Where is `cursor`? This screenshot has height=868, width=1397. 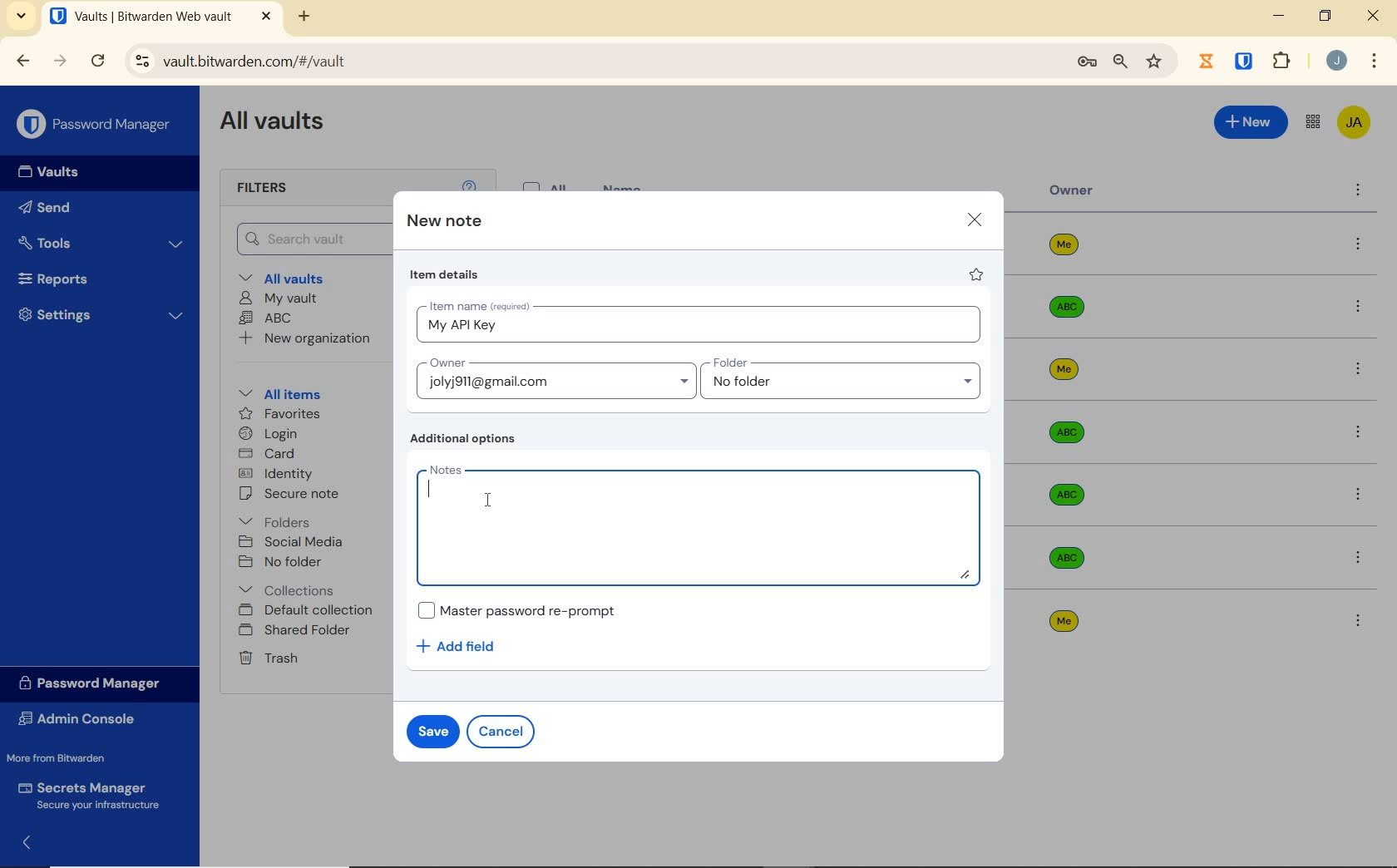
cursor is located at coordinates (488, 499).